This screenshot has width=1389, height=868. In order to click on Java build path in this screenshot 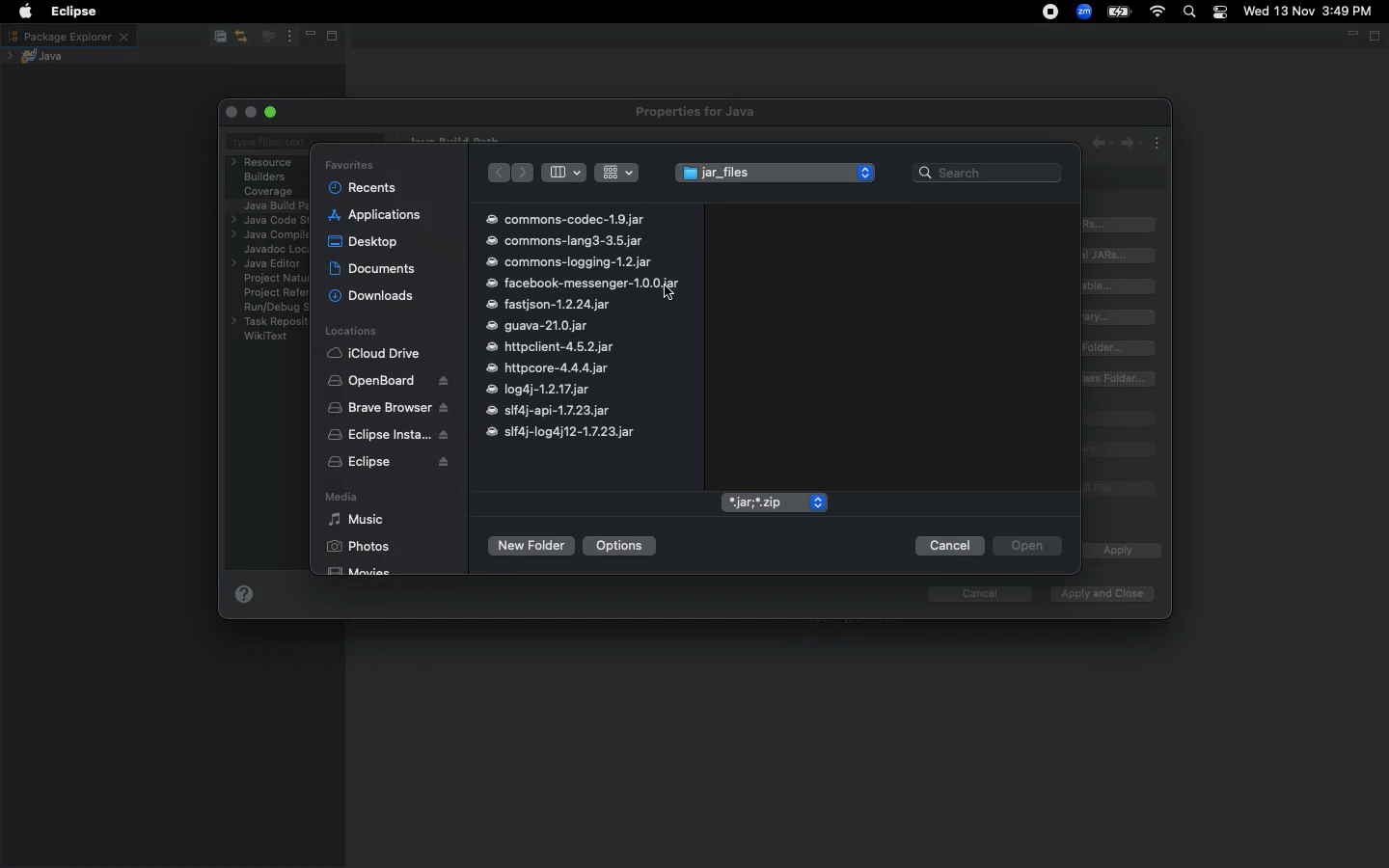, I will do `click(276, 204)`.